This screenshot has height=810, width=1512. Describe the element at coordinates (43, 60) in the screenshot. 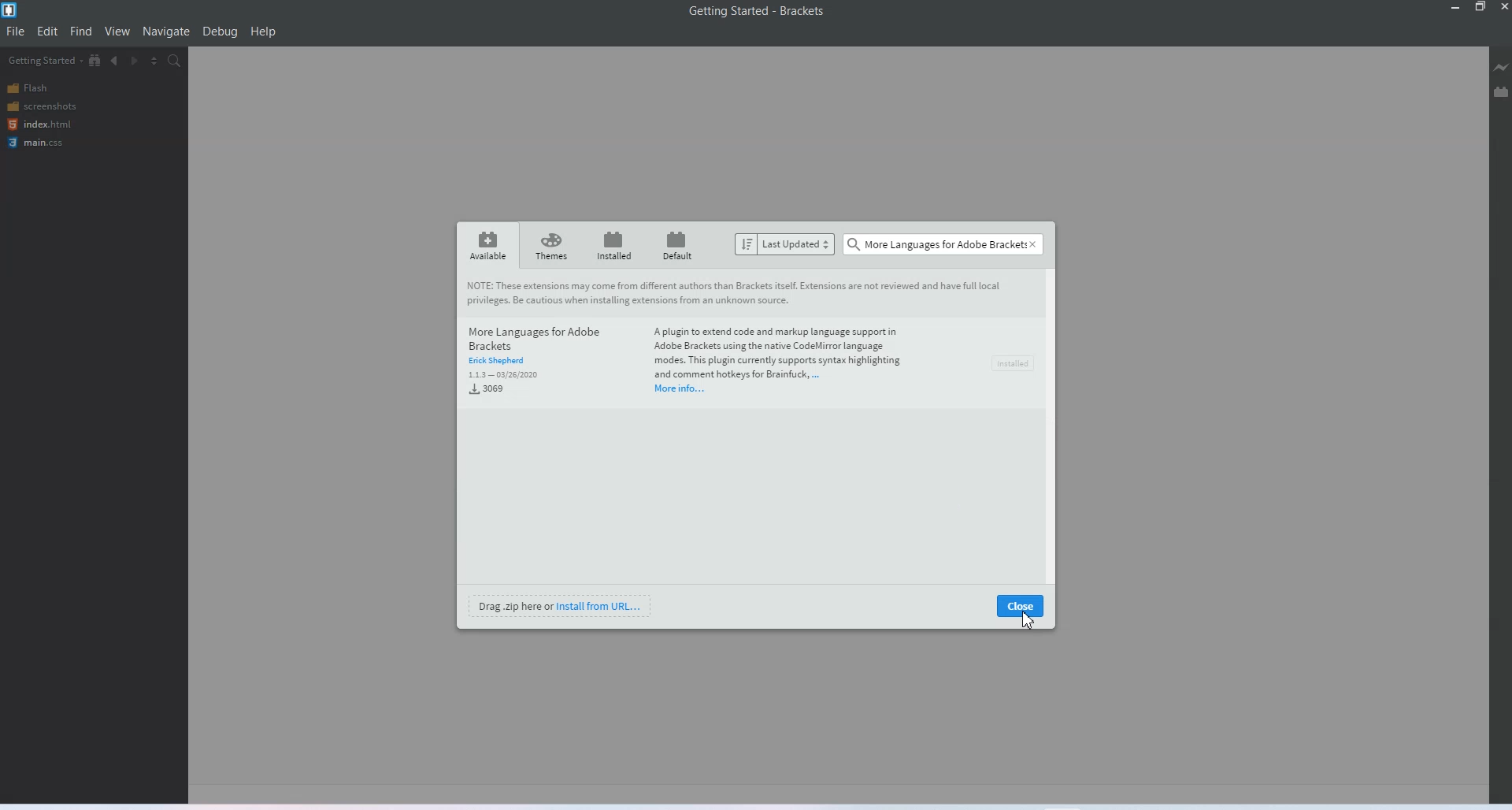

I see `Getting Started` at that location.